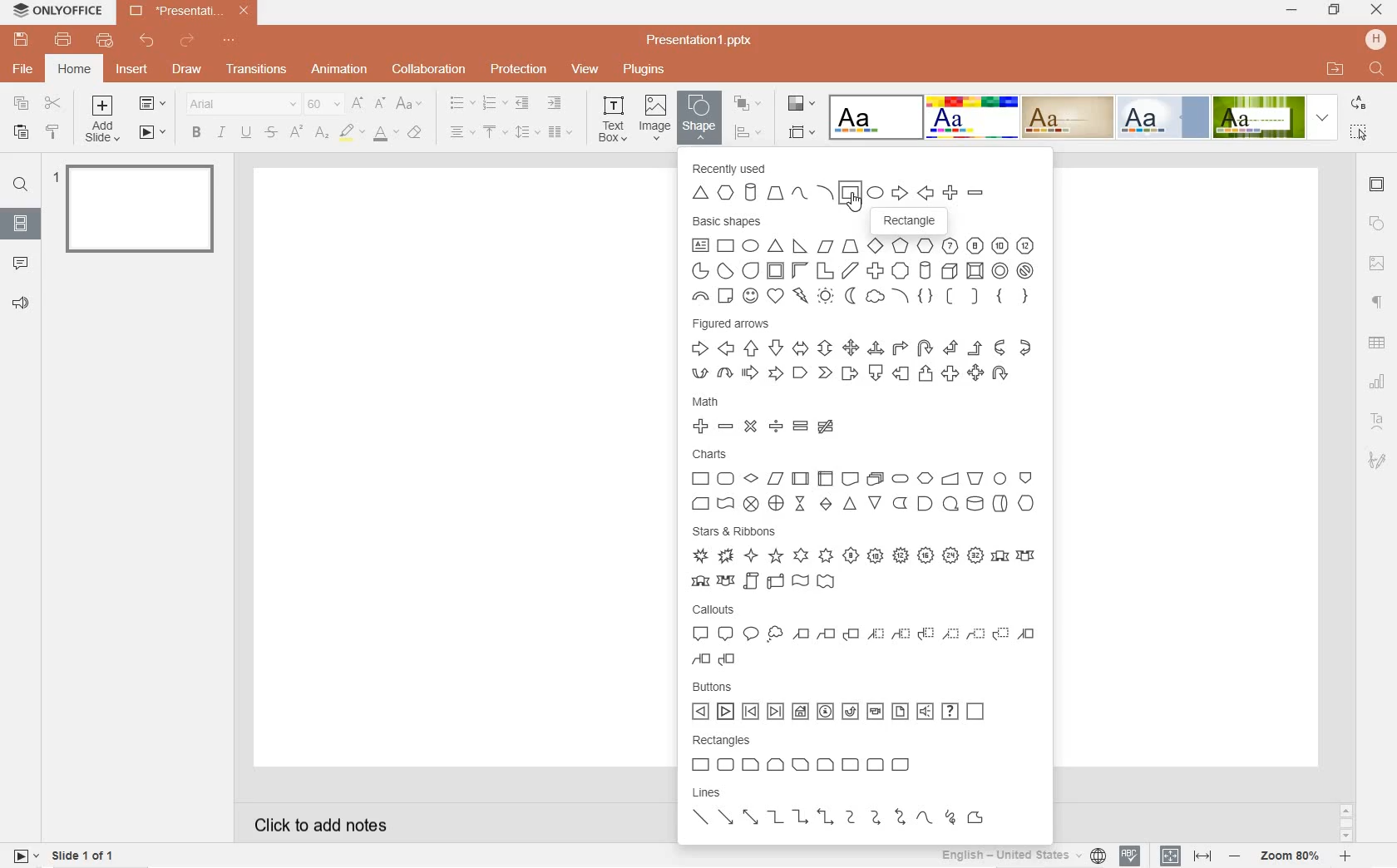 This screenshot has height=868, width=1397. Describe the element at coordinates (850, 296) in the screenshot. I see `Moon` at that location.